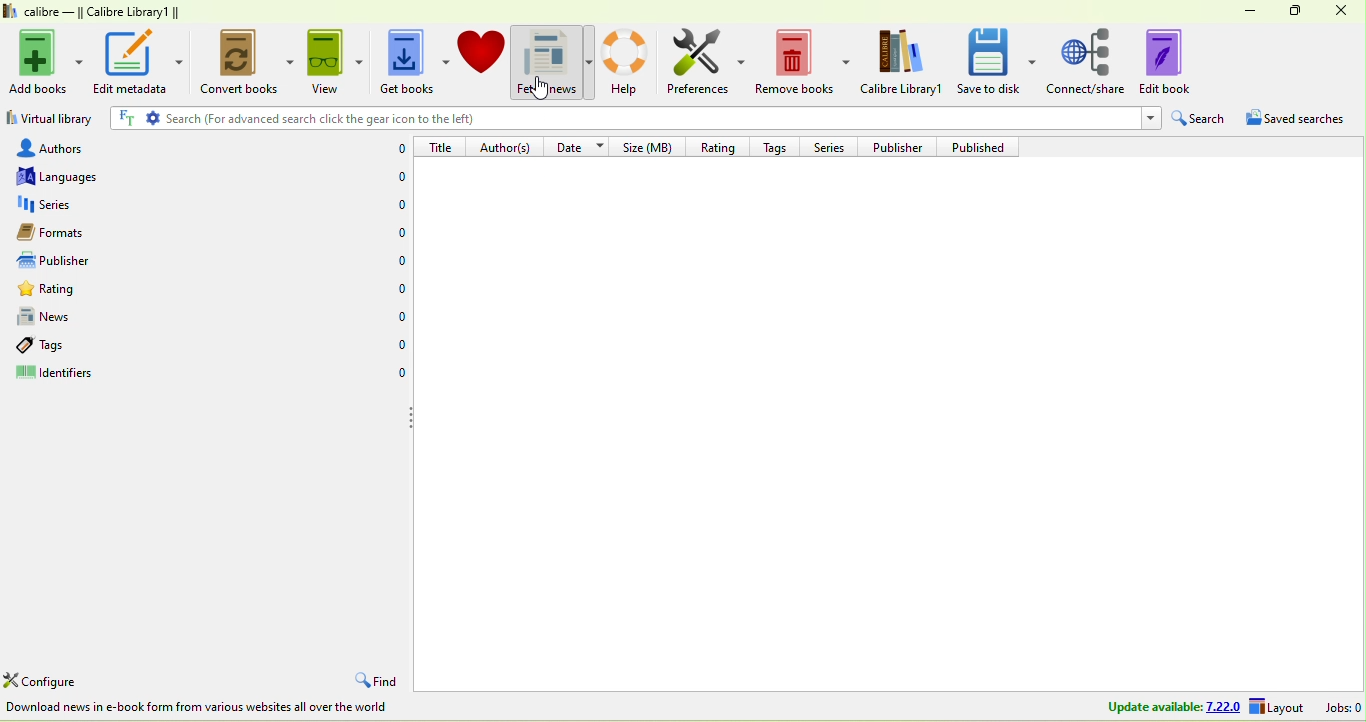  I want to click on 0, so click(399, 347).